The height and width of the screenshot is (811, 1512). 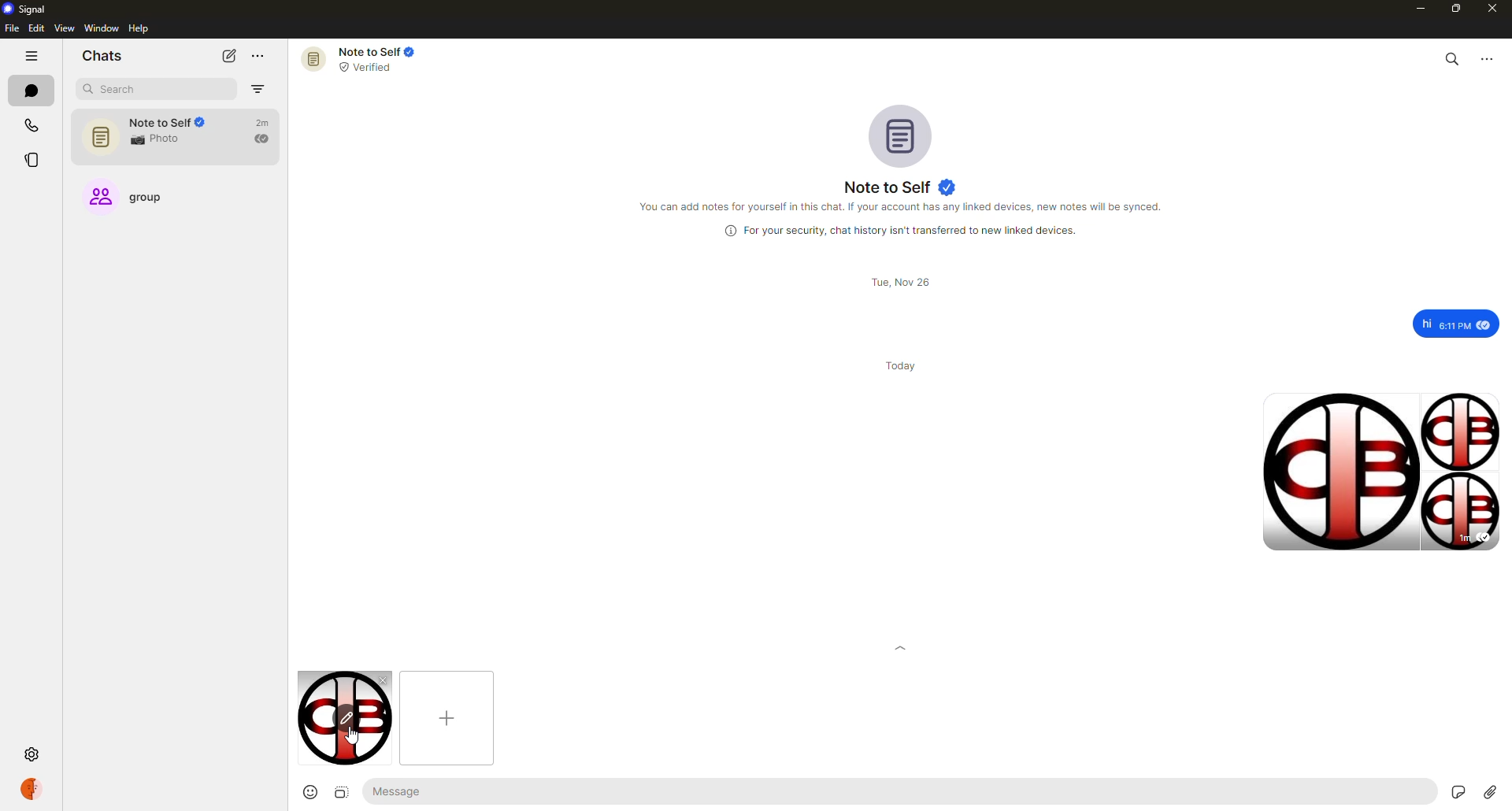 I want to click on minimize, so click(x=1414, y=8).